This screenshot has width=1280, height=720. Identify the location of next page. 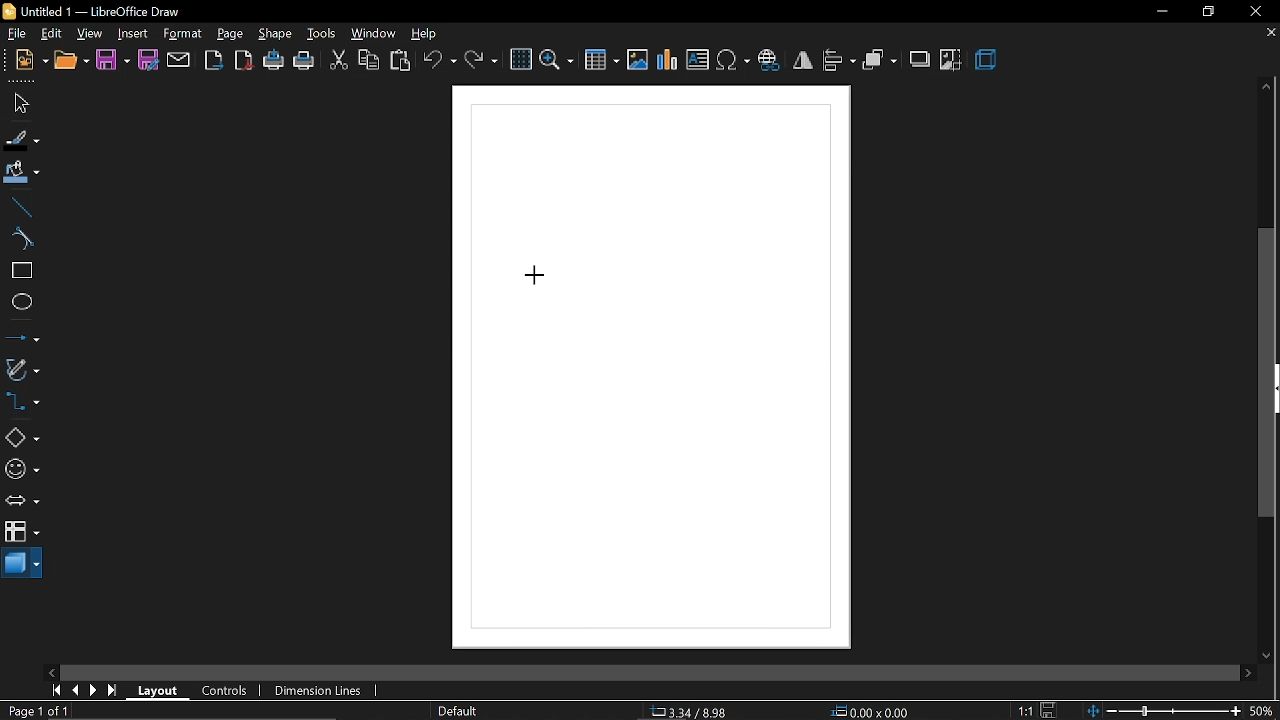
(92, 690).